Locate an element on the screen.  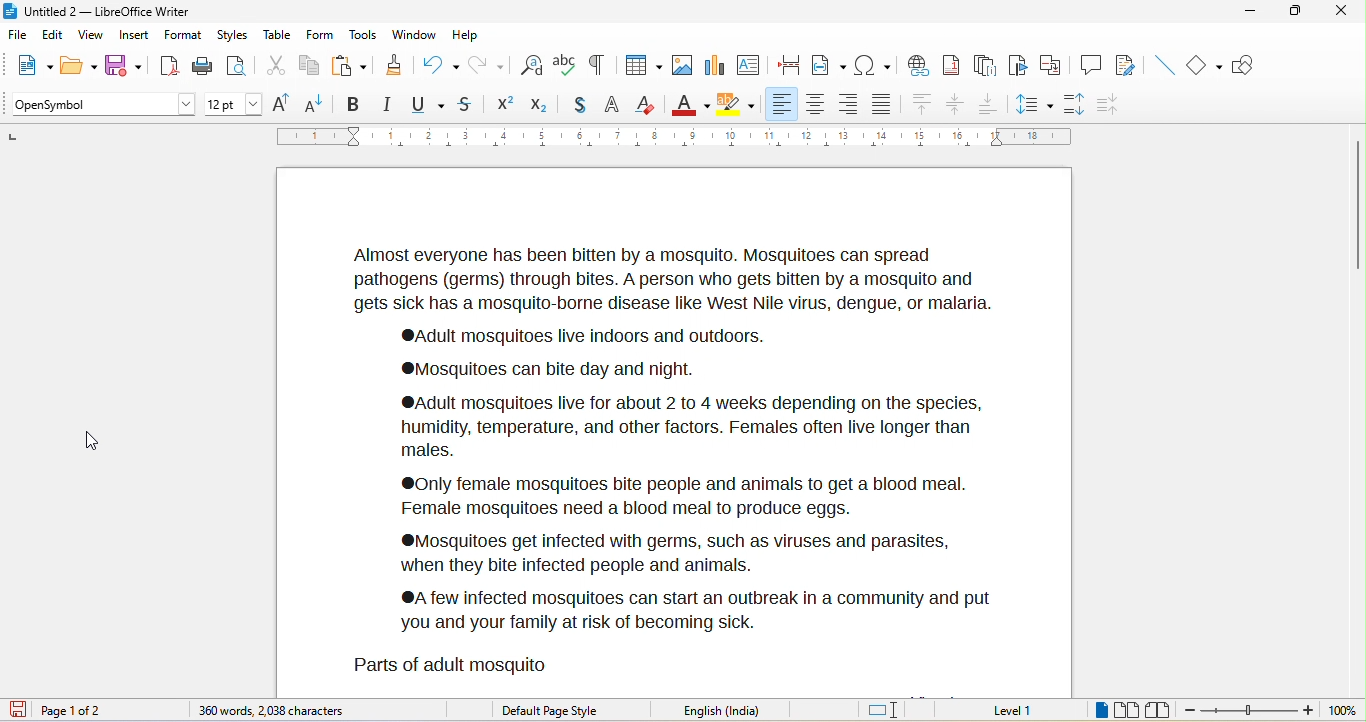
align center is located at coordinates (815, 105).